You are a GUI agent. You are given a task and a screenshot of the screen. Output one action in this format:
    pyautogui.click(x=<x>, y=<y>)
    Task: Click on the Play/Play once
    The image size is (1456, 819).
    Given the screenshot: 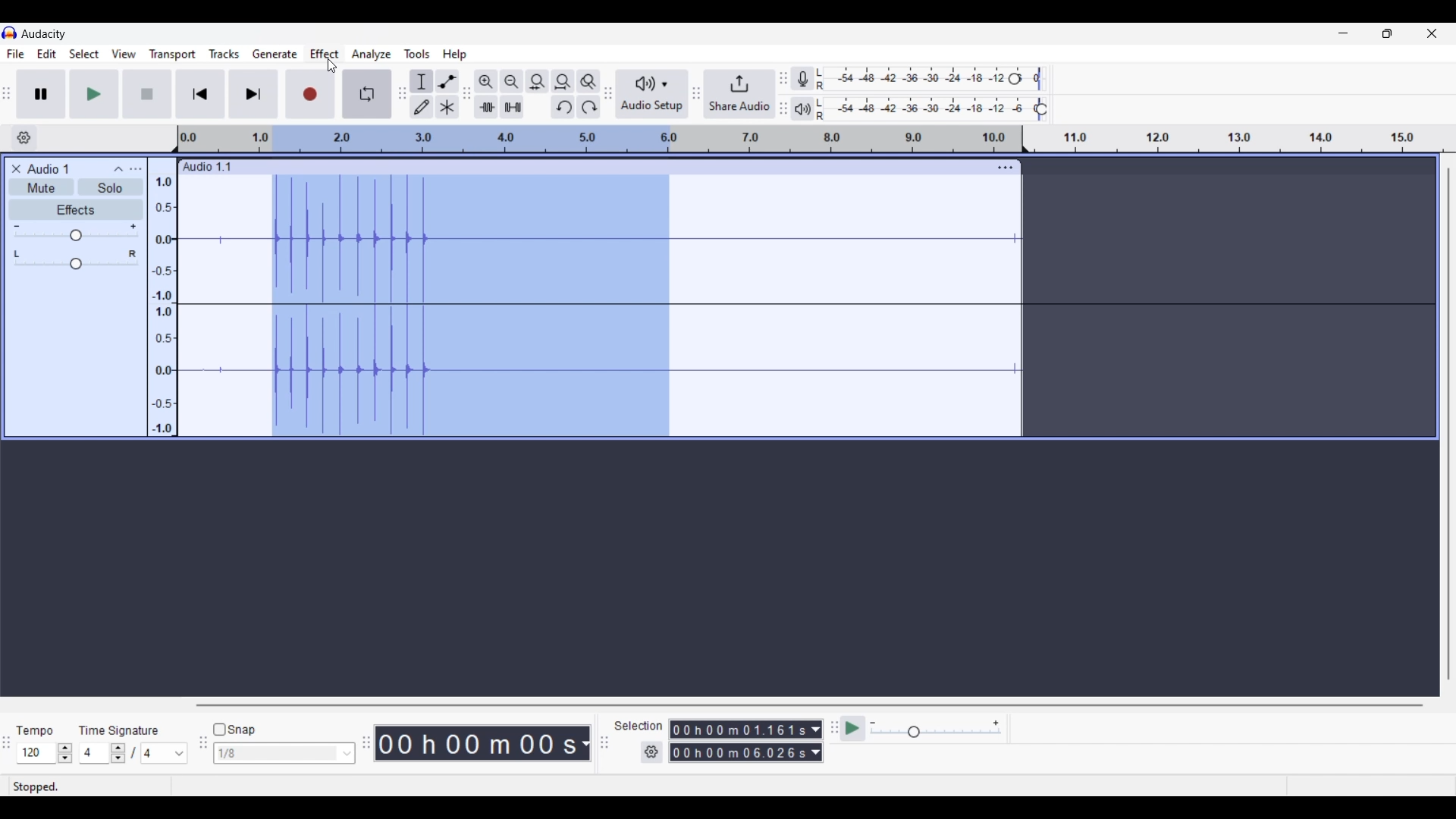 What is the action you would take?
    pyautogui.click(x=94, y=93)
    